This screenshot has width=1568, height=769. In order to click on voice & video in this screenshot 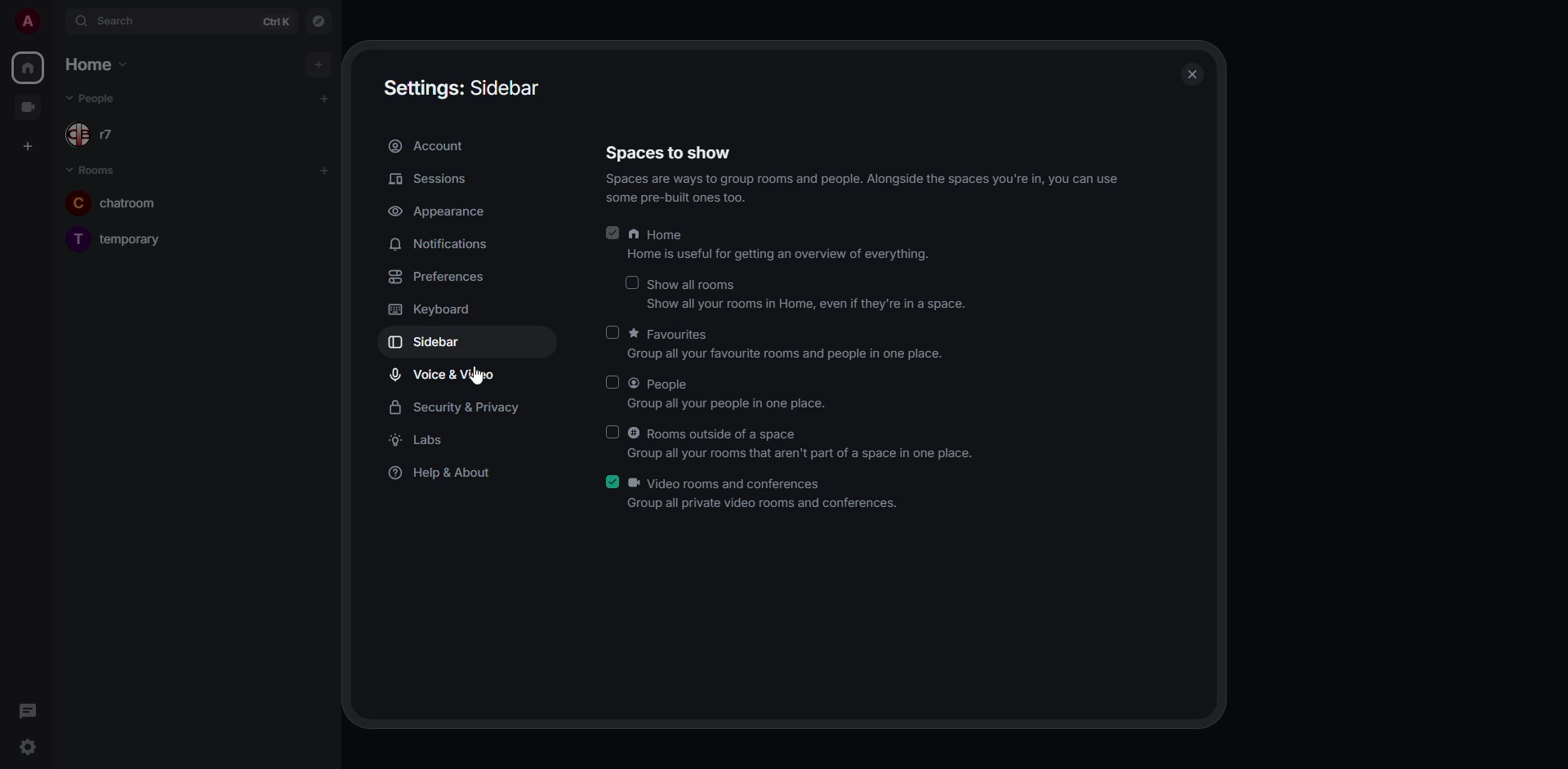, I will do `click(443, 376)`.